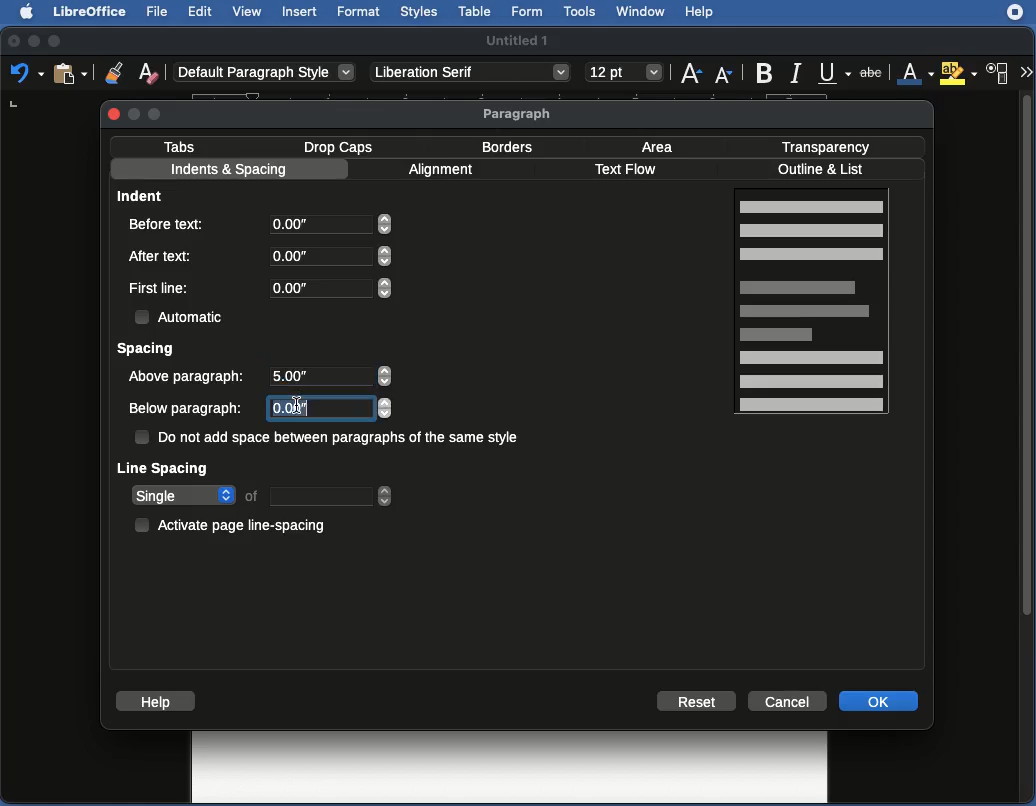 Image resolution: width=1036 pixels, height=806 pixels. What do you see at coordinates (161, 289) in the screenshot?
I see `First line` at bounding box center [161, 289].